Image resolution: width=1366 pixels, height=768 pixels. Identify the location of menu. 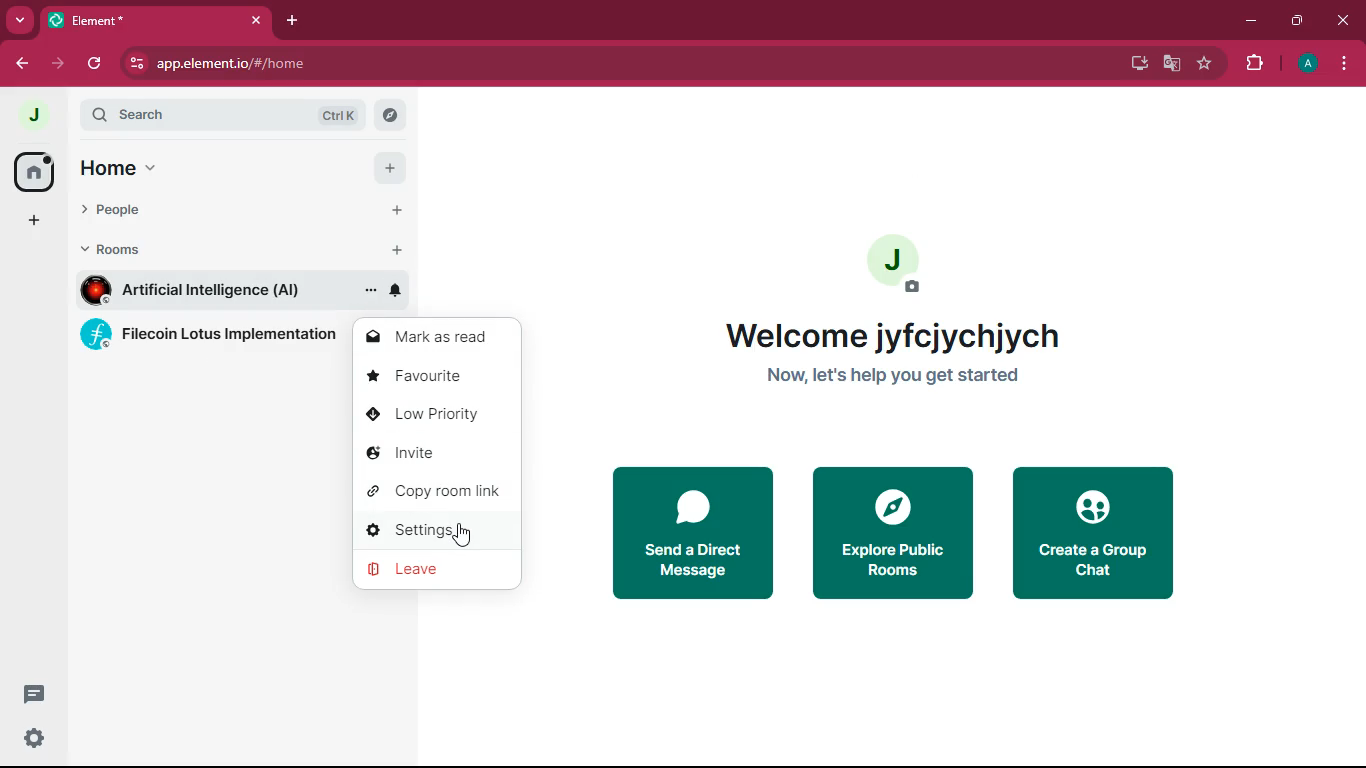
(1343, 66).